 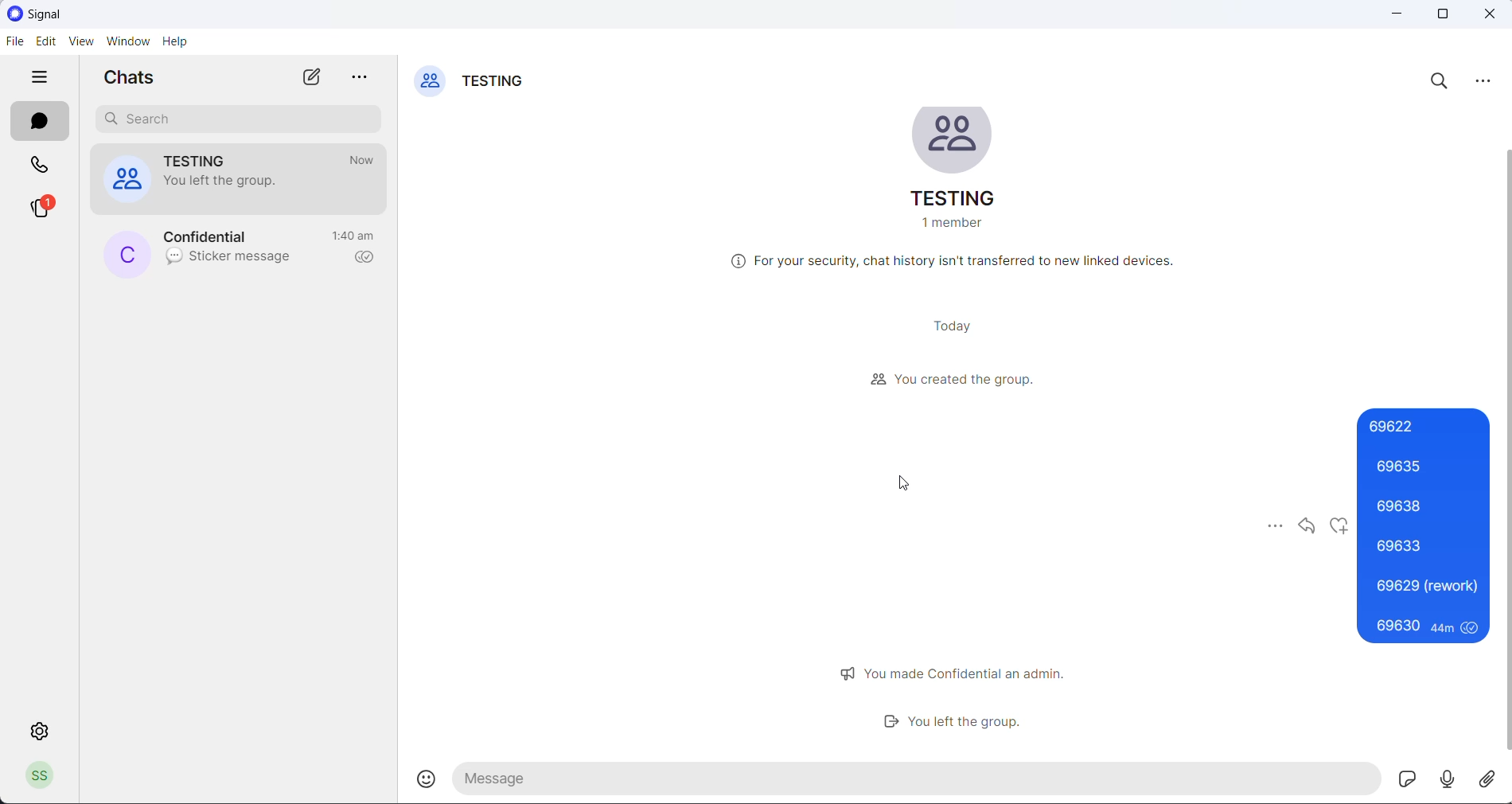 I want to click on profile picture, so click(x=127, y=254).